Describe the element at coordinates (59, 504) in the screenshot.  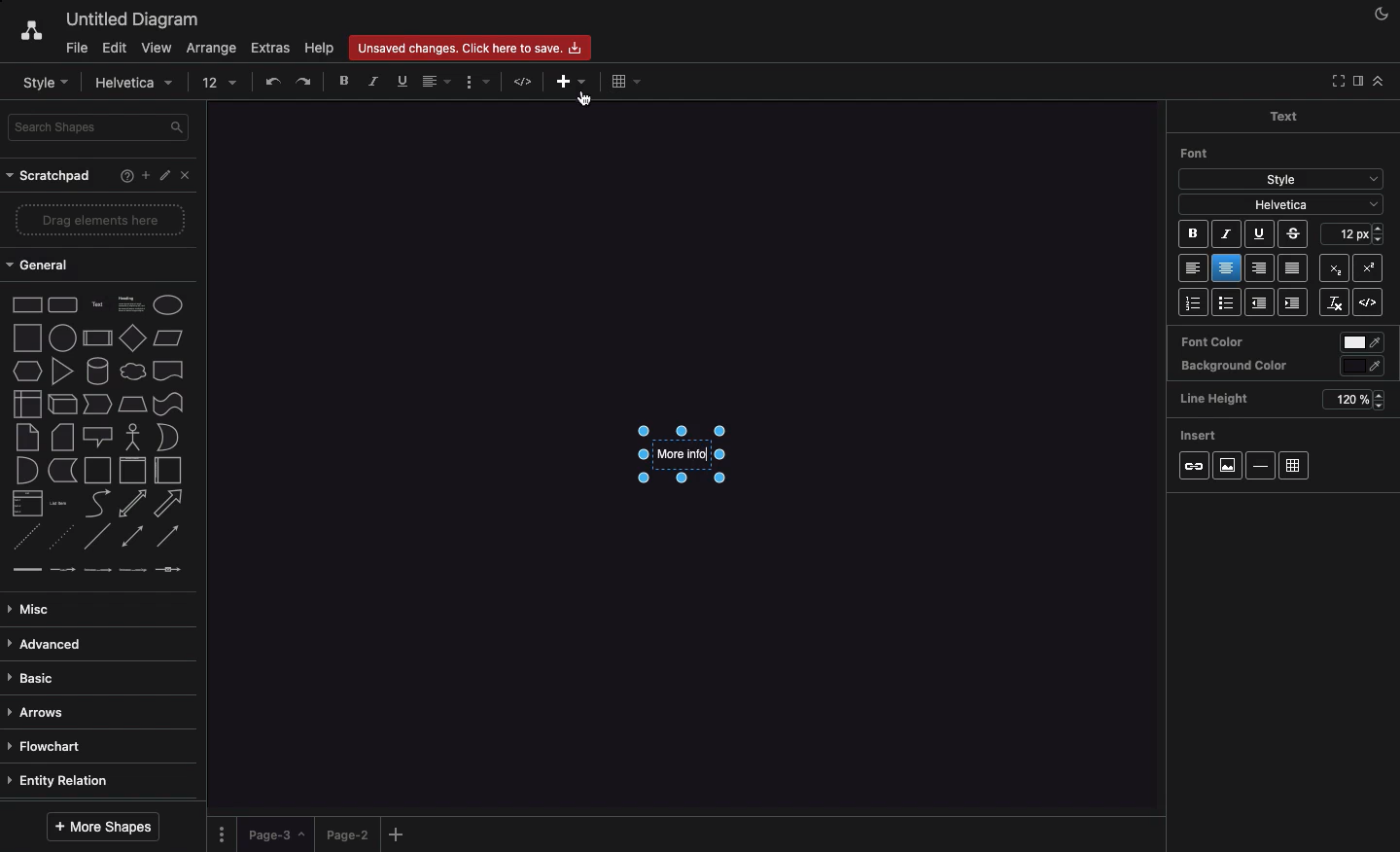
I see `list item` at that location.